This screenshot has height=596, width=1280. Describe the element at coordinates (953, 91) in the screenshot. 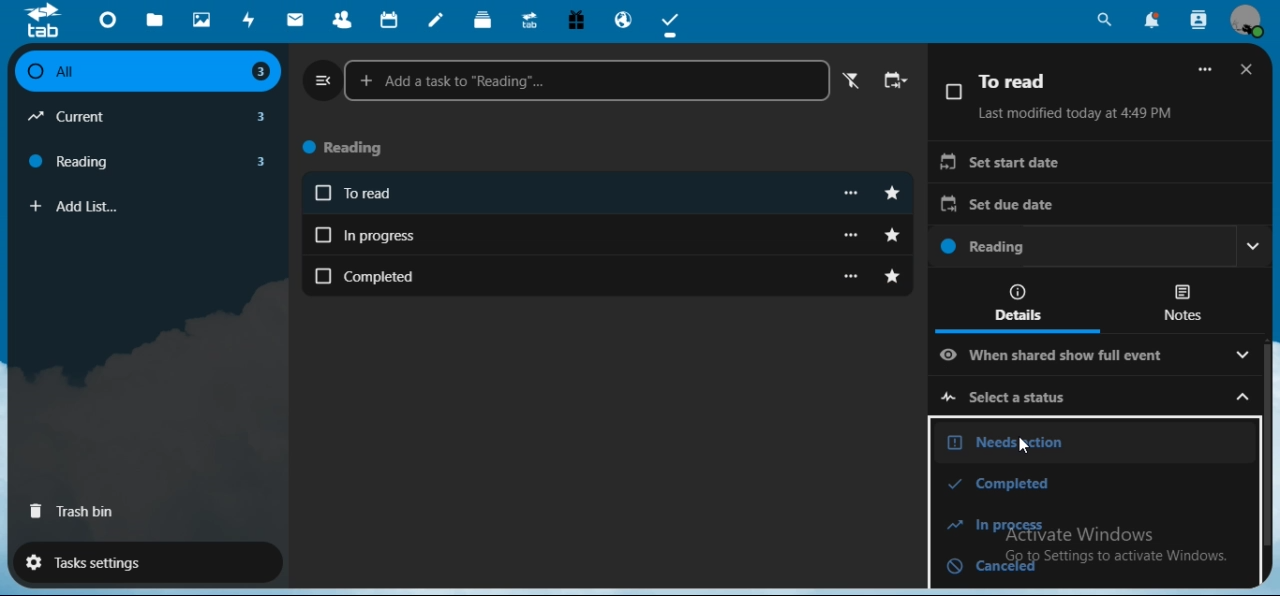

I see `Checkbox` at that location.